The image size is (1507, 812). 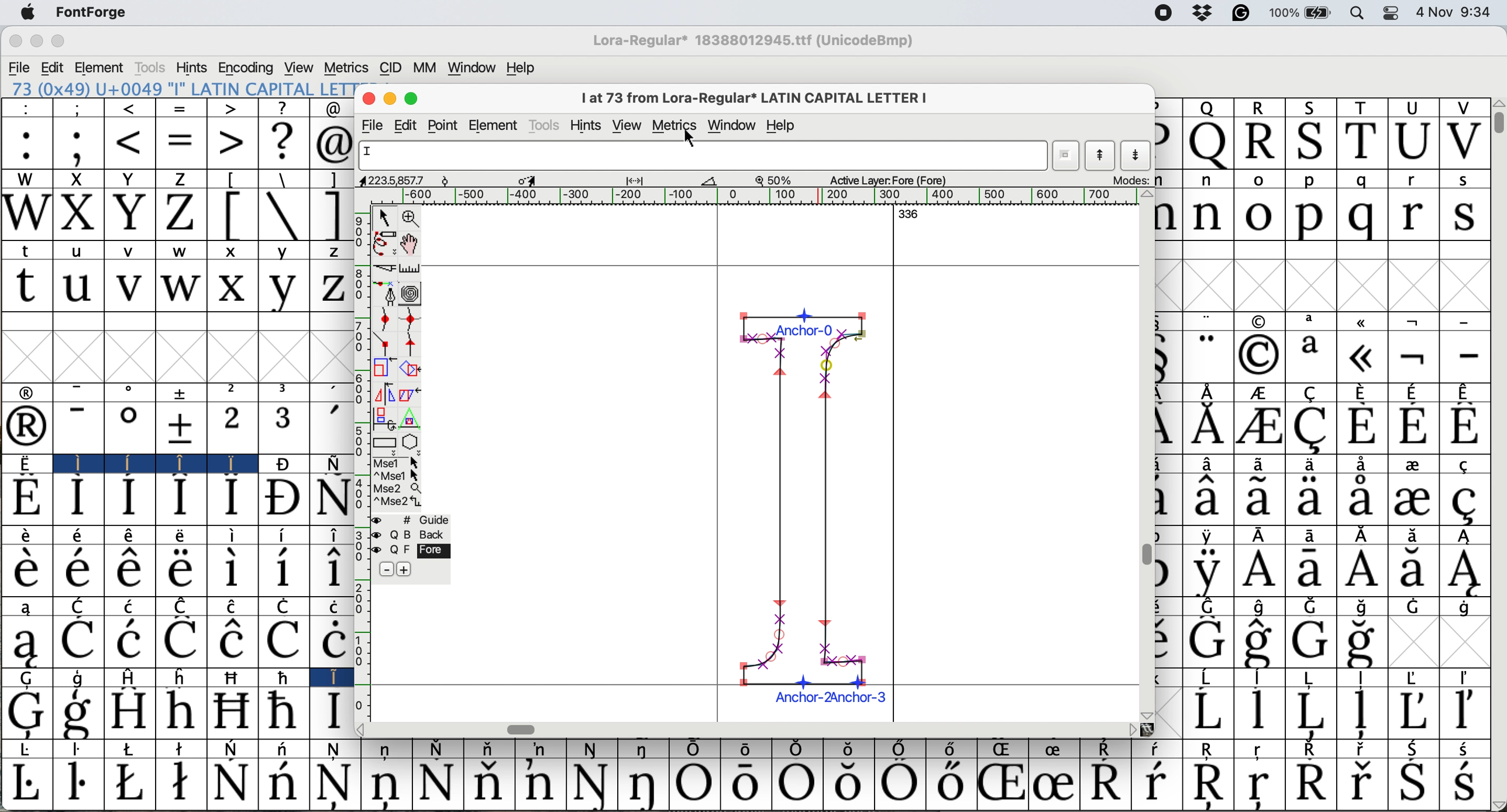 What do you see at coordinates (1102, 156) in the screenshot?
I see `show previous letter` at bounding box center [1102, 156].